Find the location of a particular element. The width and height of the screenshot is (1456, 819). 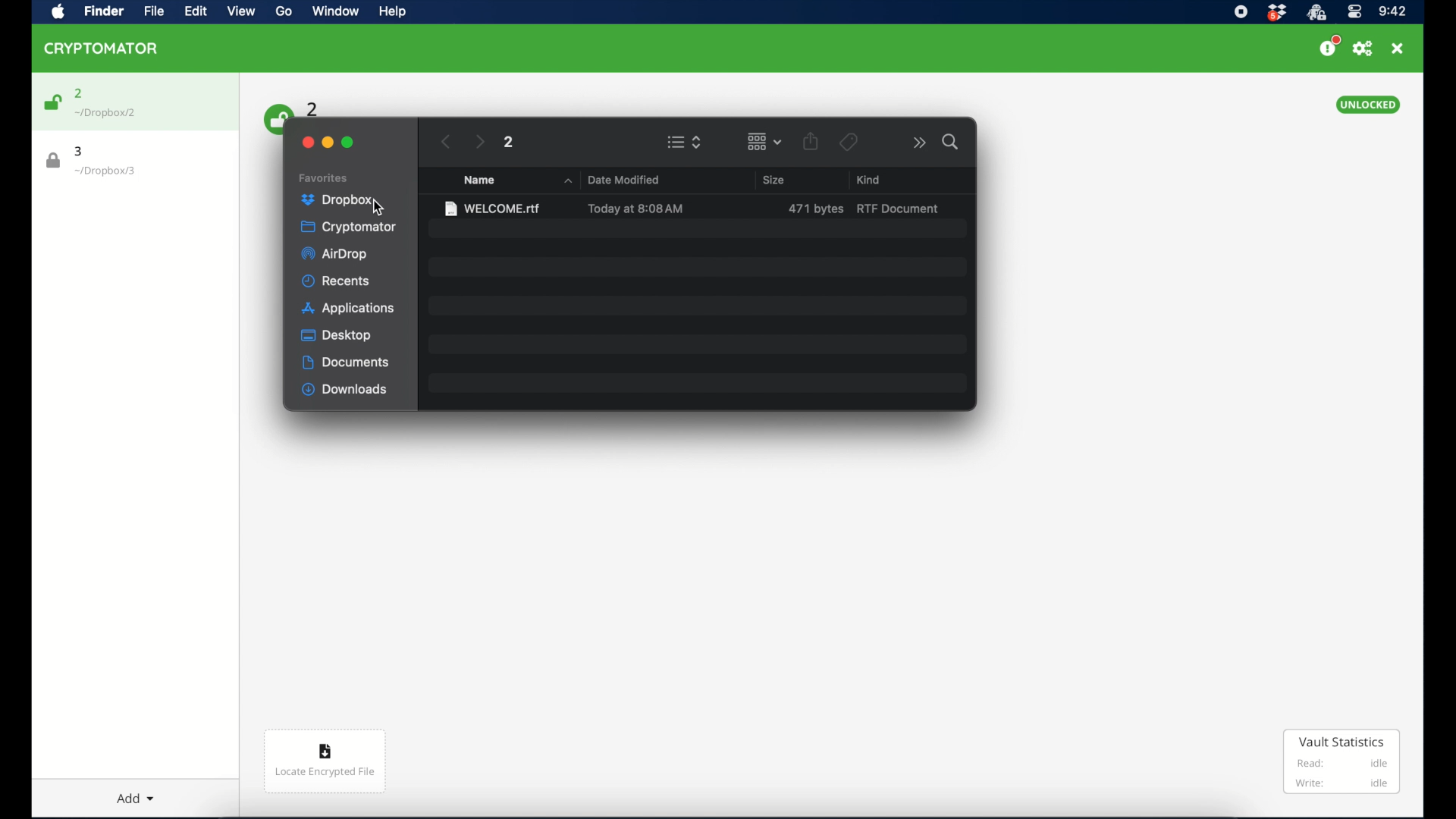

support us is located at coordinates (1329, 46).